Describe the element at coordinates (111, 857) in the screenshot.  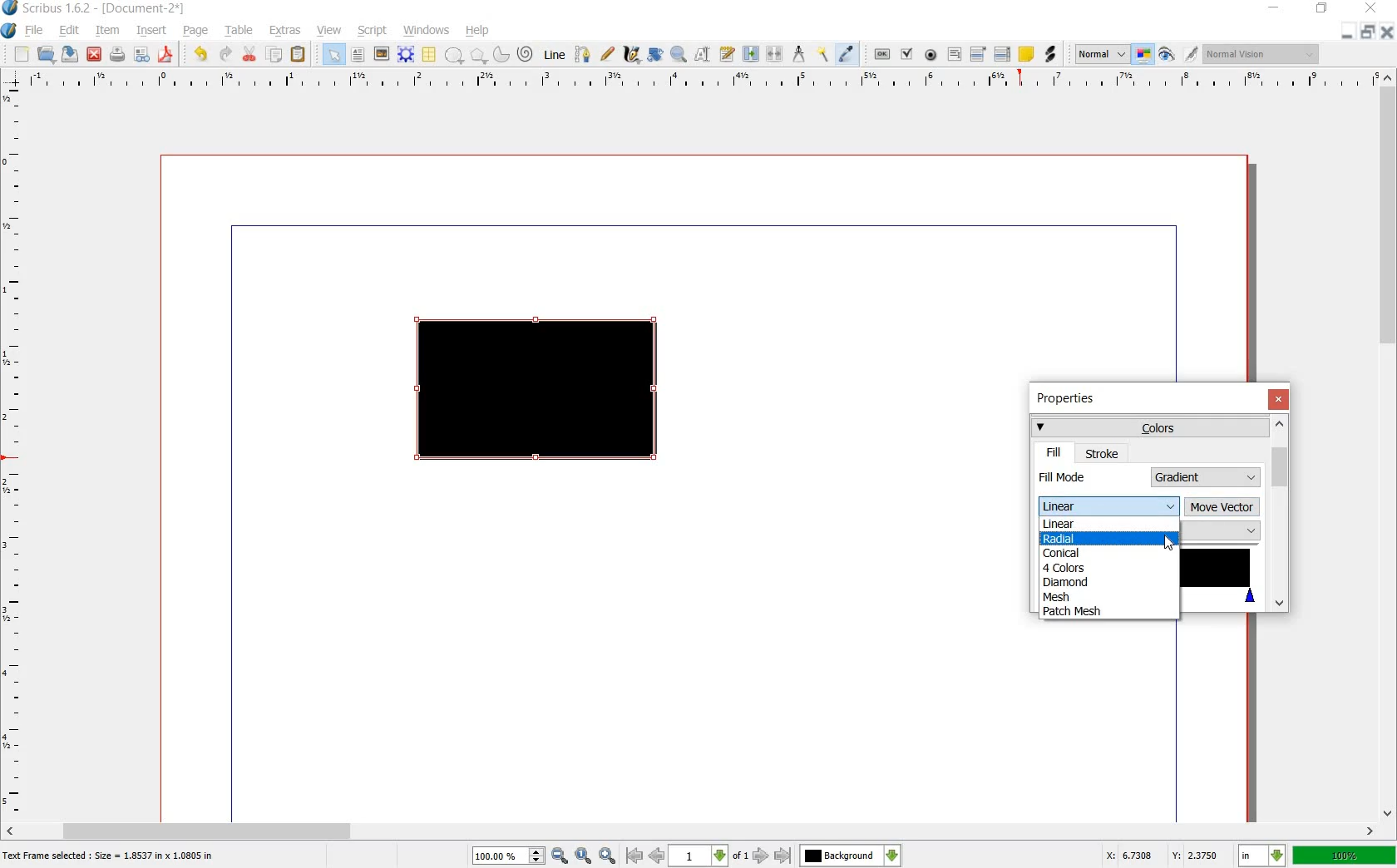
I see `text frame selected : size = 1.8537 in x 1.0805 in` at that location.